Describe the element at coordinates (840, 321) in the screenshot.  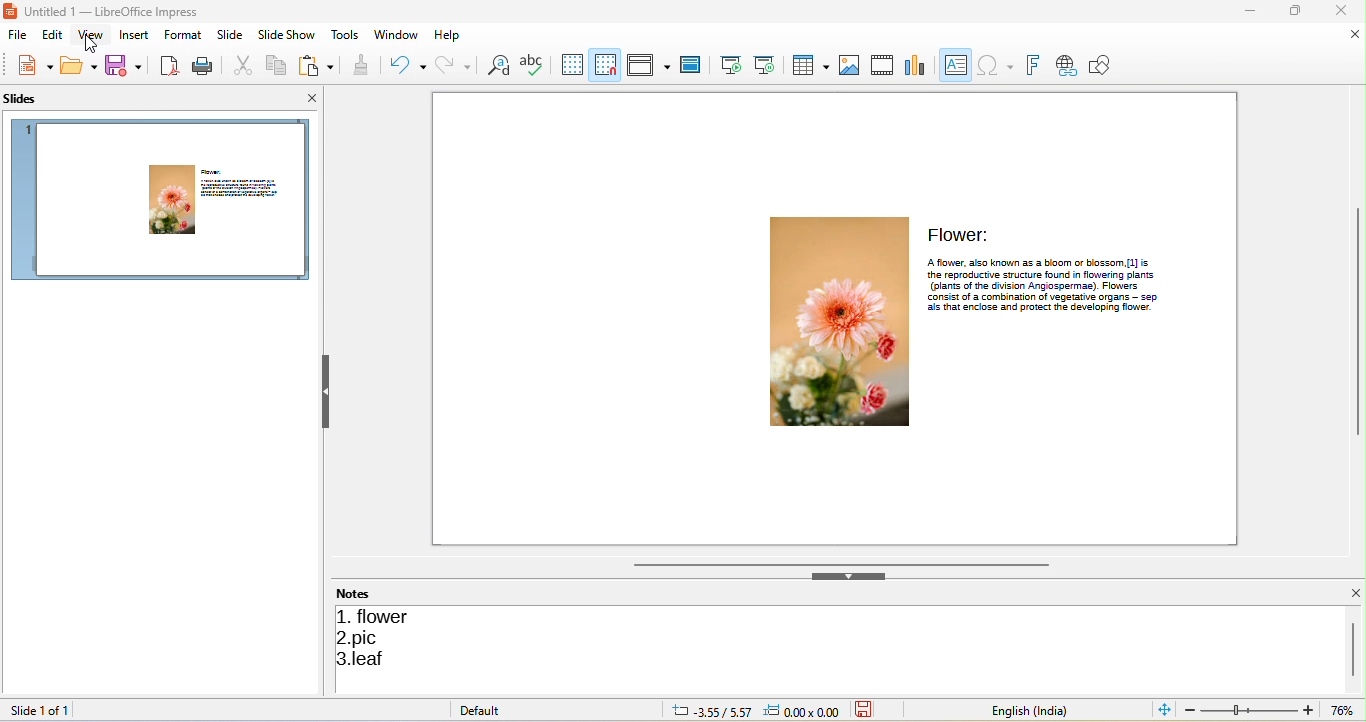
I see `image of flower` at that location.